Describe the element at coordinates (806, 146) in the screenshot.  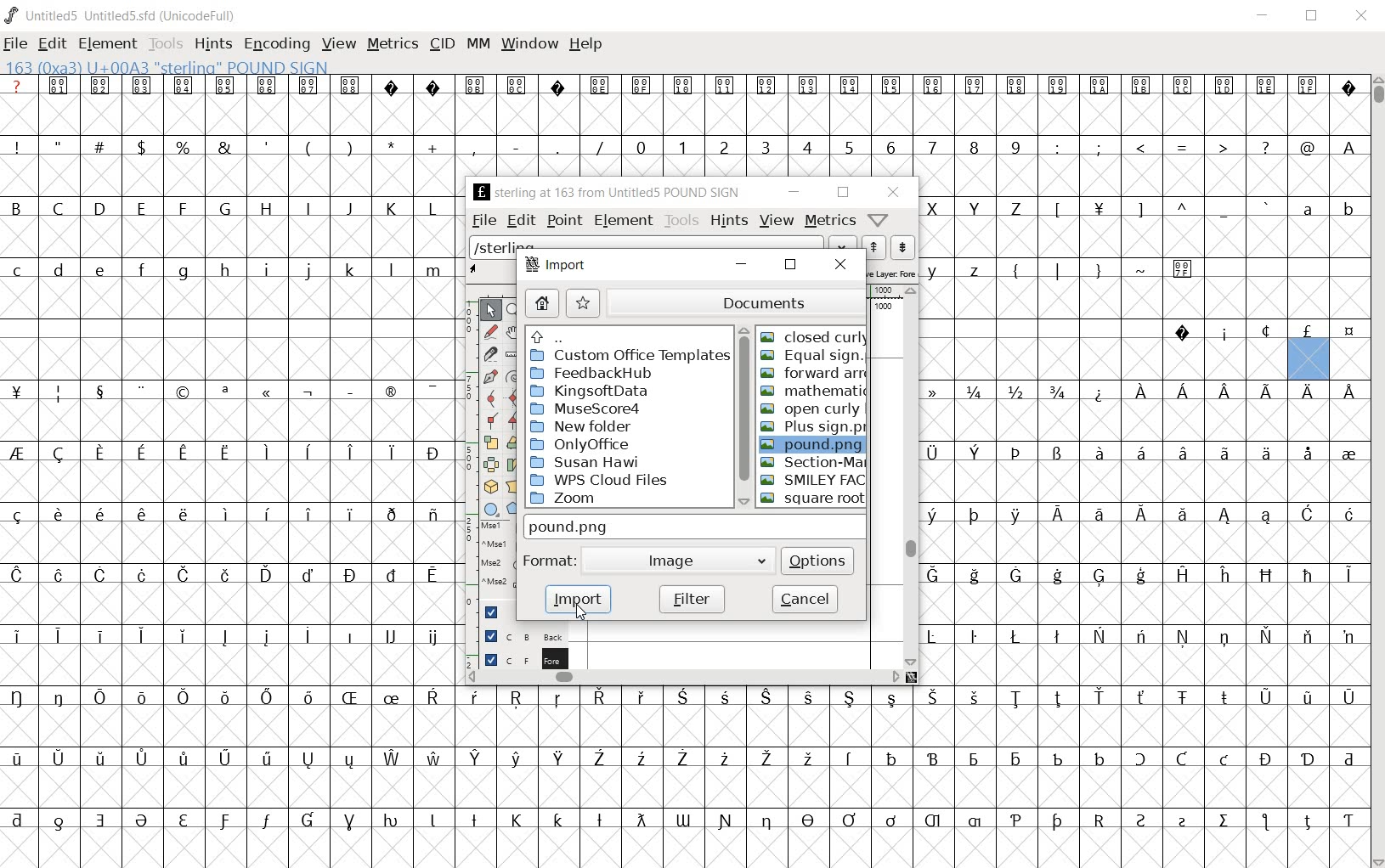
I see `4` at that location.